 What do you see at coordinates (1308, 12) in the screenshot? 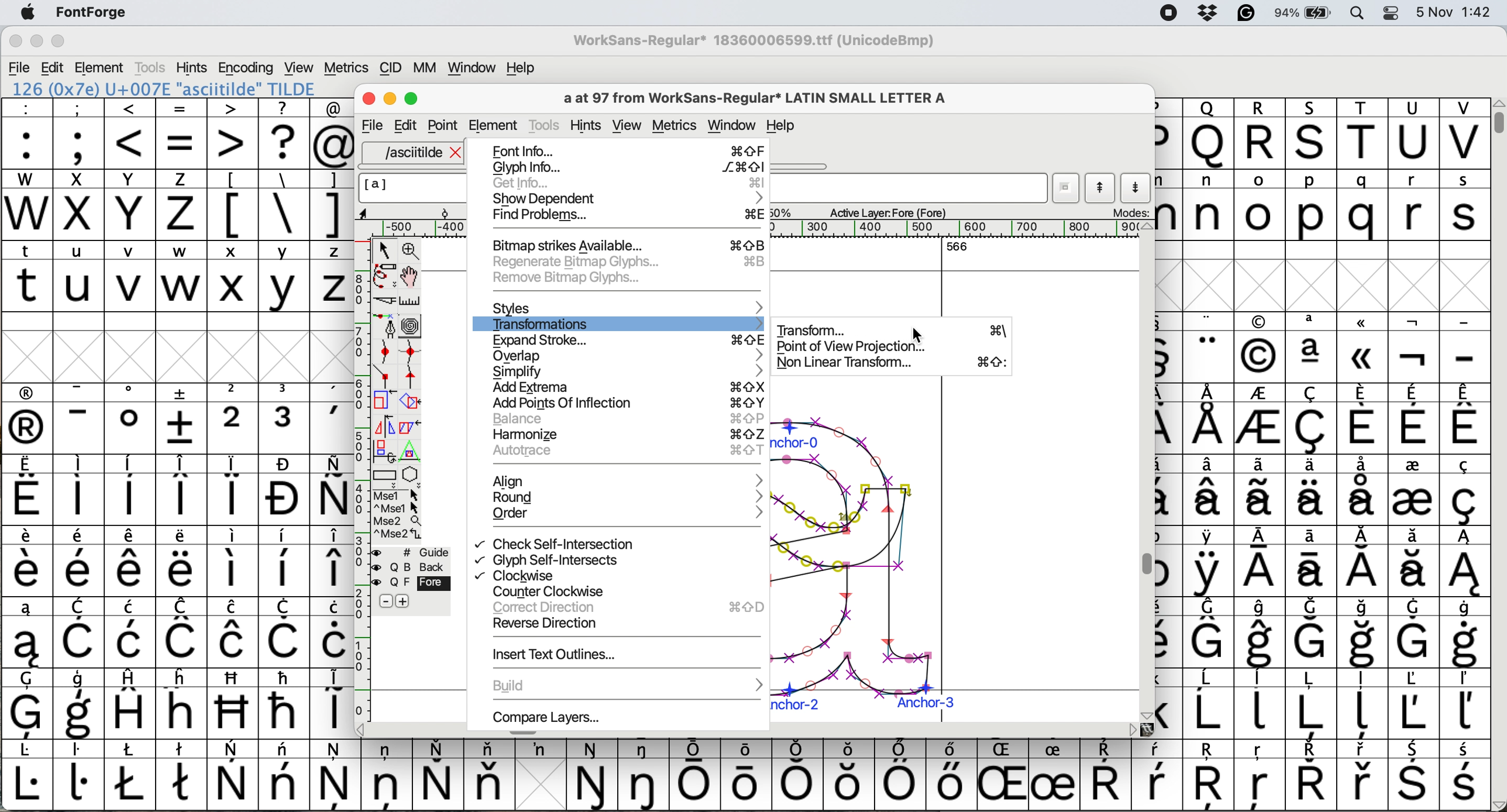
I see `battery` at bounding box center [1308, 12].